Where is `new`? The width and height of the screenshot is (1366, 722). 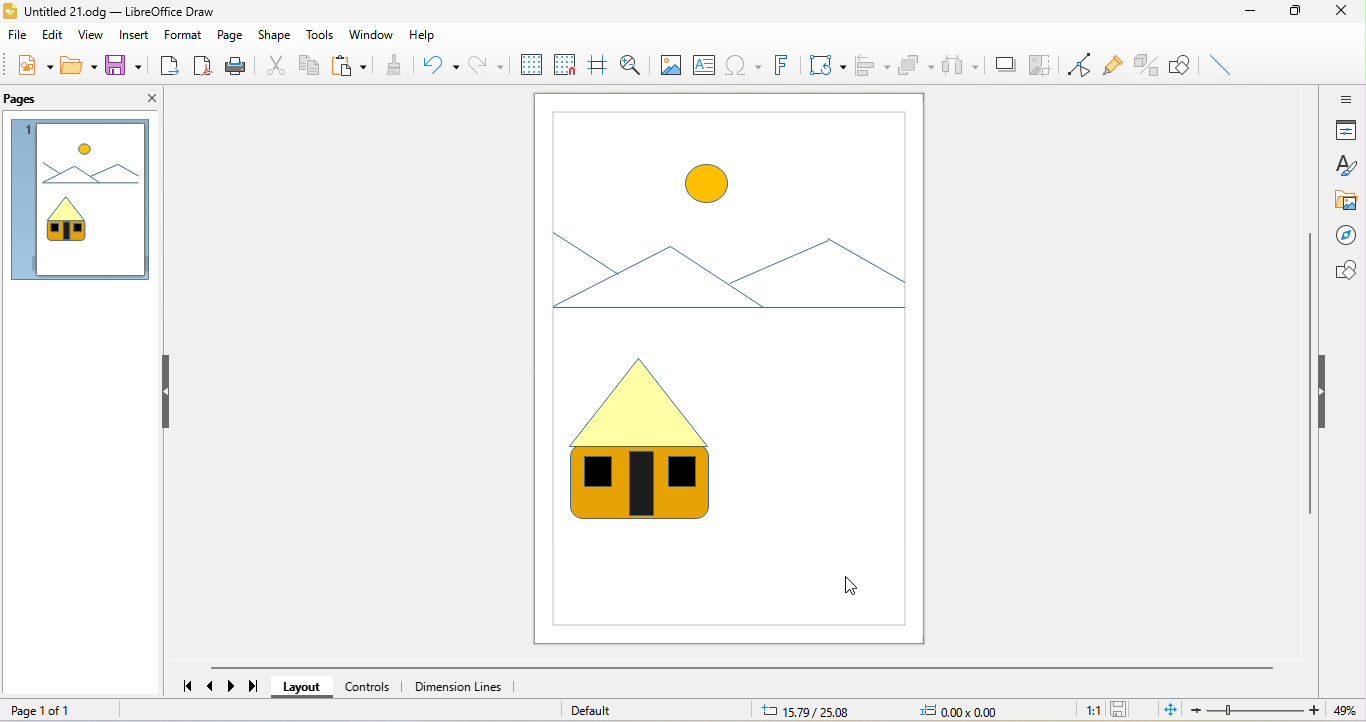
new is located at coordinates (34, 65).